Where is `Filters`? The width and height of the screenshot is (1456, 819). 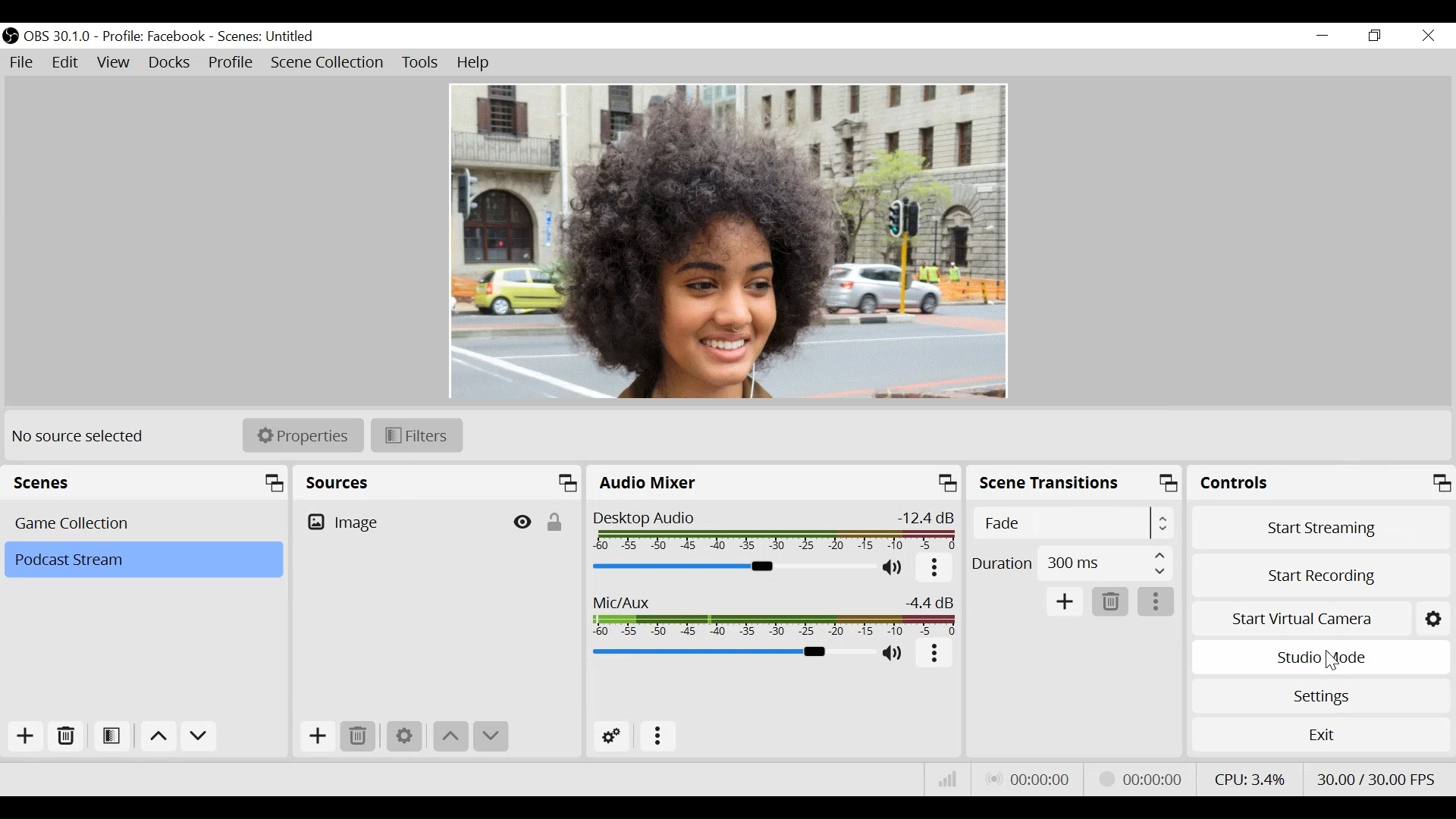
Filters is located at coordinates (418, 436).